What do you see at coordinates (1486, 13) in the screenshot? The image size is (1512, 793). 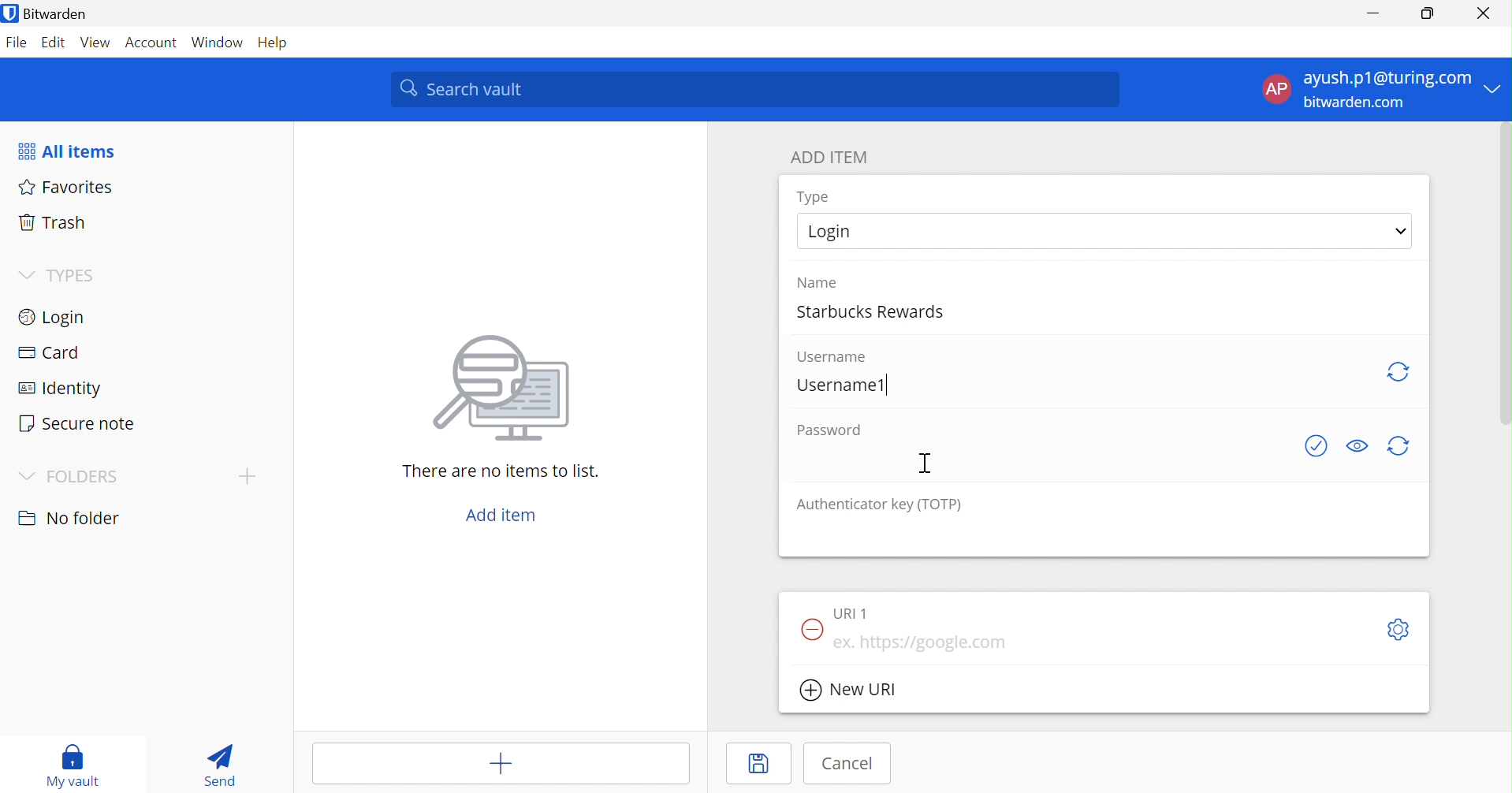 I see `Close` at bounding box center [1486, 13].